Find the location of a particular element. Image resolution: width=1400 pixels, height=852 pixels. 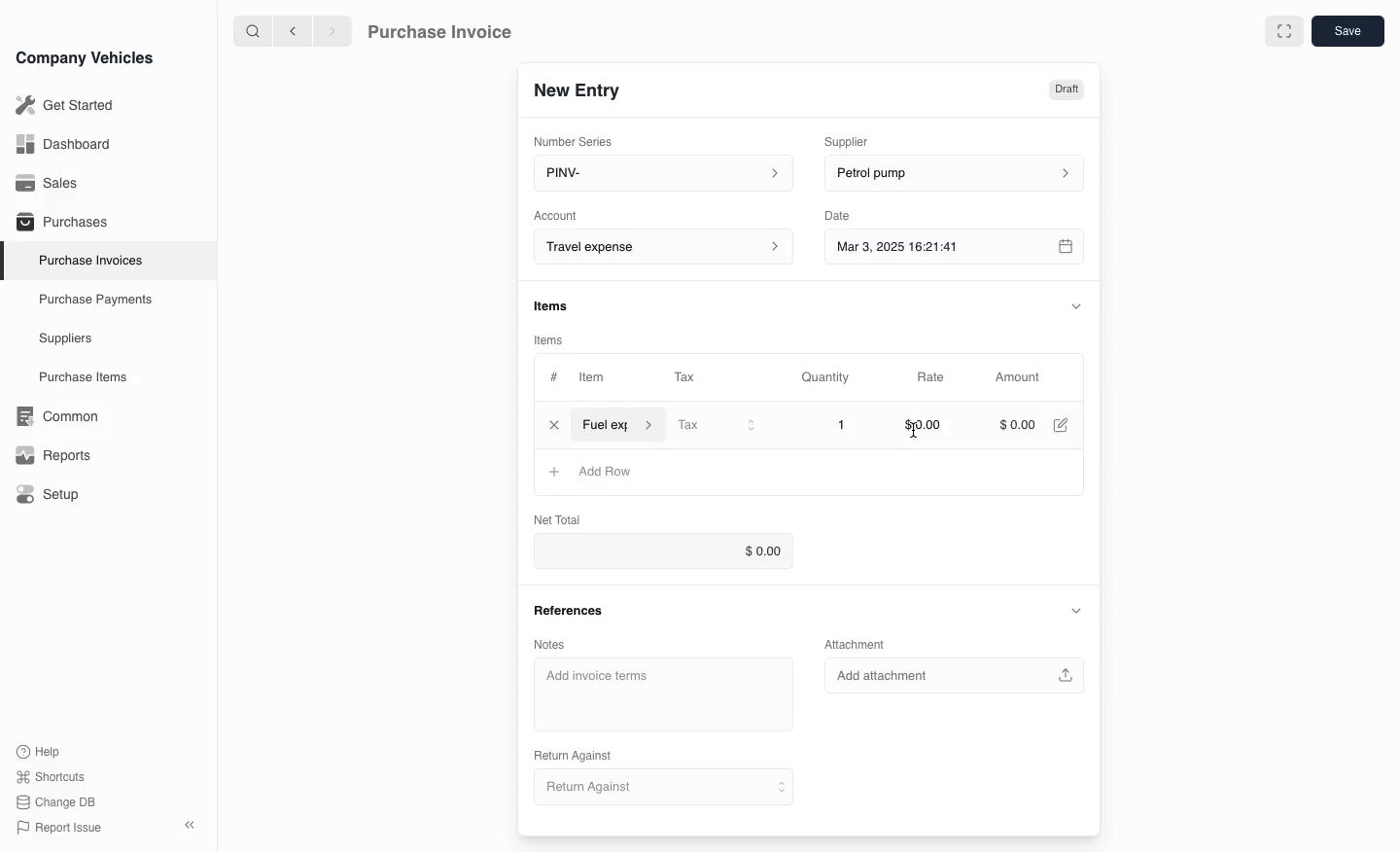

Company Vehicles is located at coordinates (85, 57).